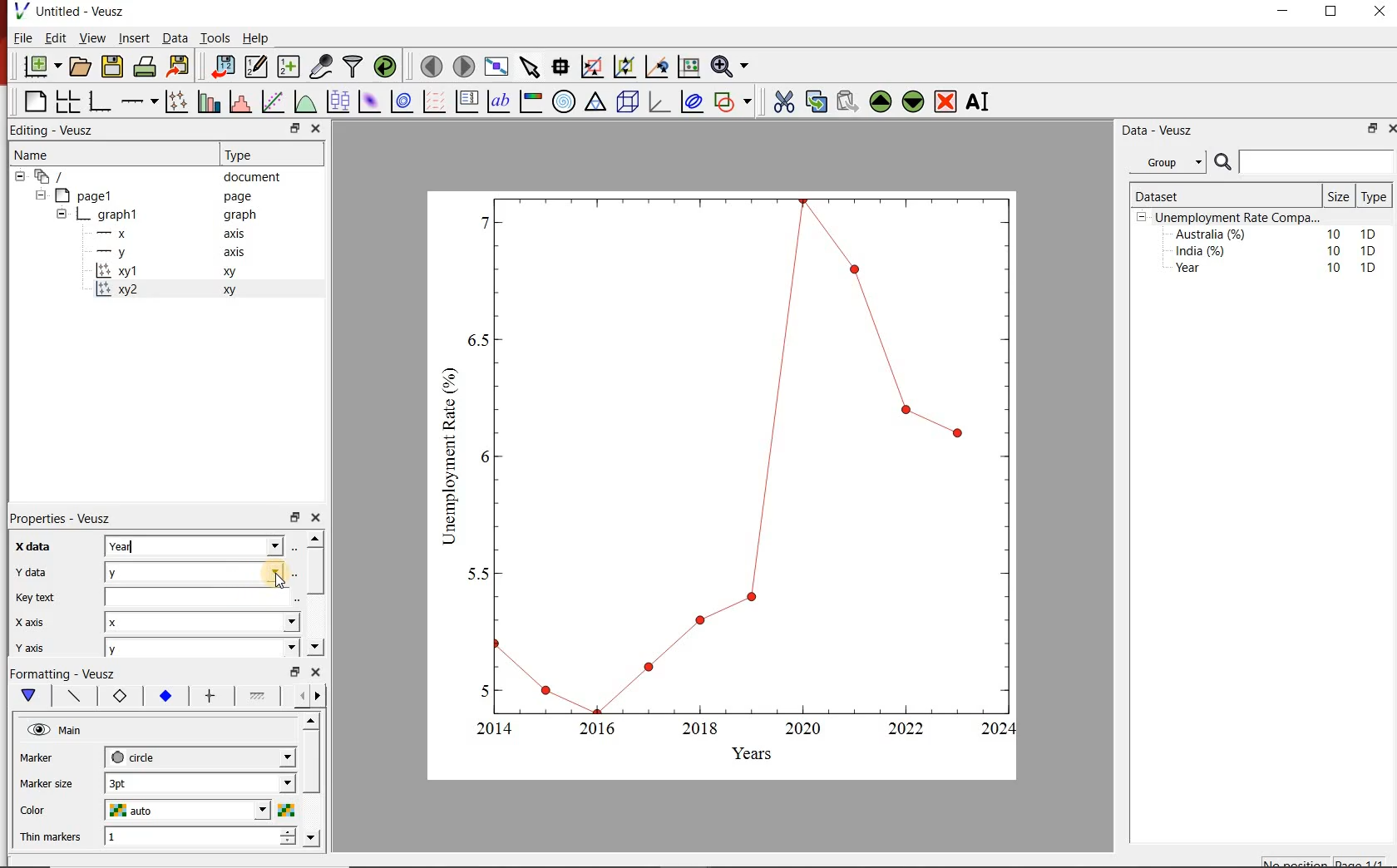 The image size is (1397, 868). What do you see at coordinates (260, 155) in the screenshot?
I see `Type` at bounding box center [260, 155].